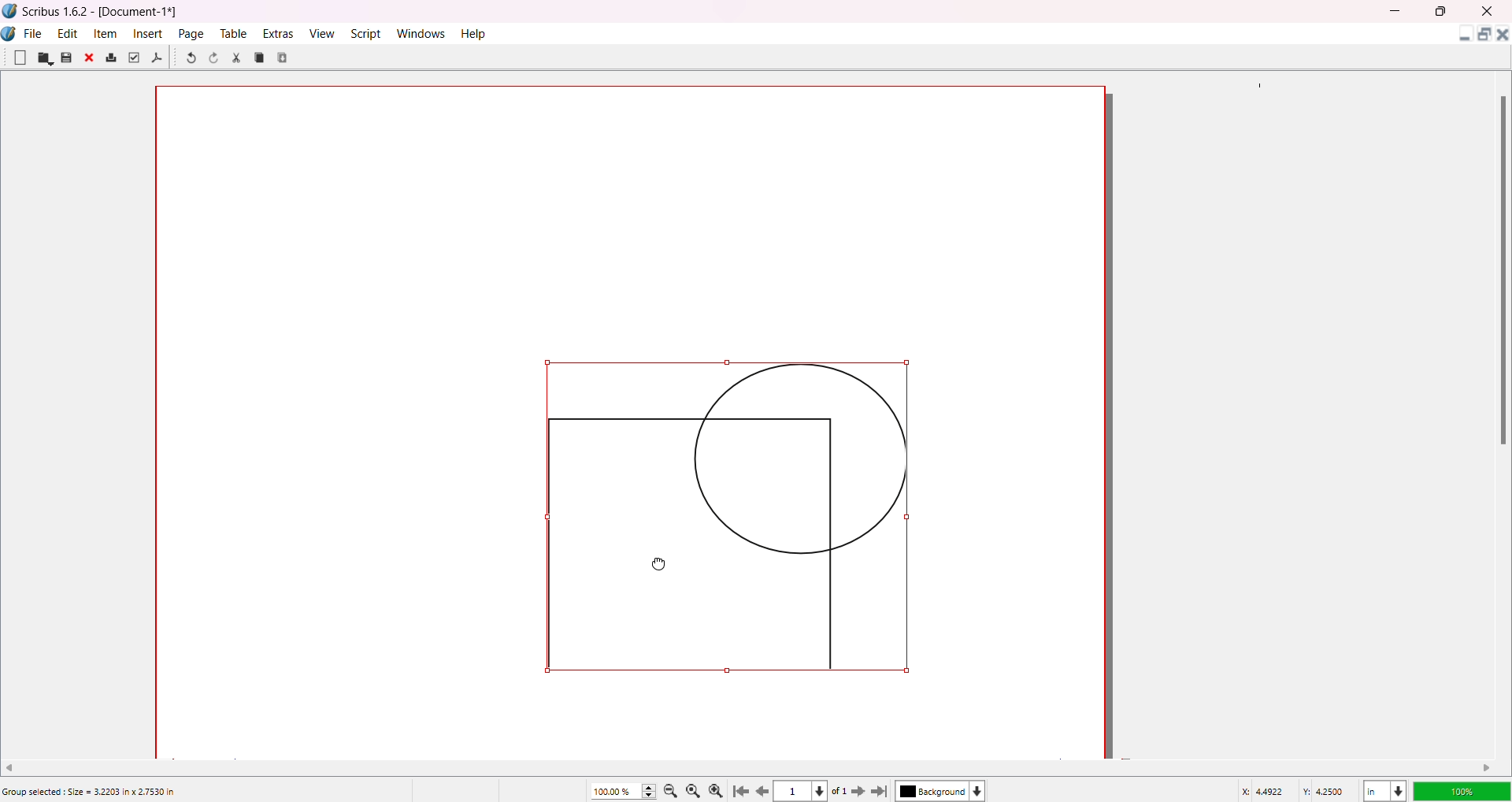  Describe the element at coordinates (1483, 37) in the screenshot. I see `Maximize Document` at that location.